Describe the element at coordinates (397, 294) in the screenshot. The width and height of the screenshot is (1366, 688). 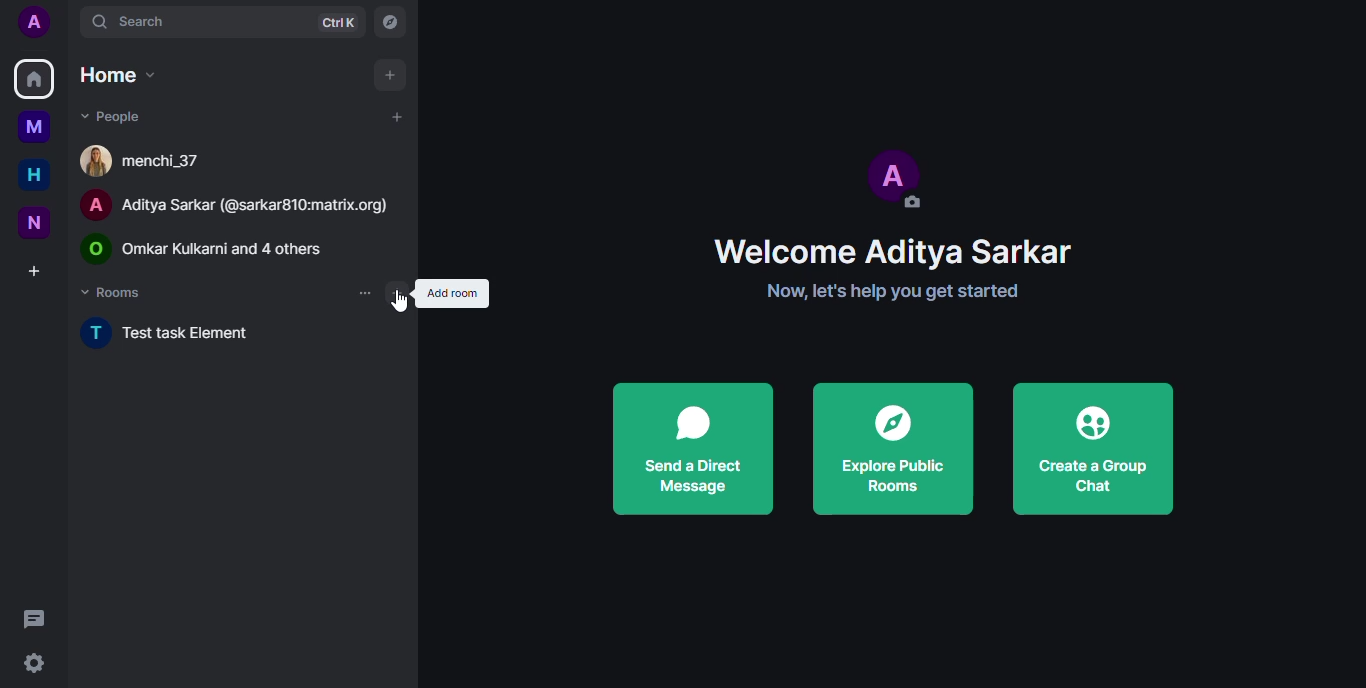
I see `add` at that location.